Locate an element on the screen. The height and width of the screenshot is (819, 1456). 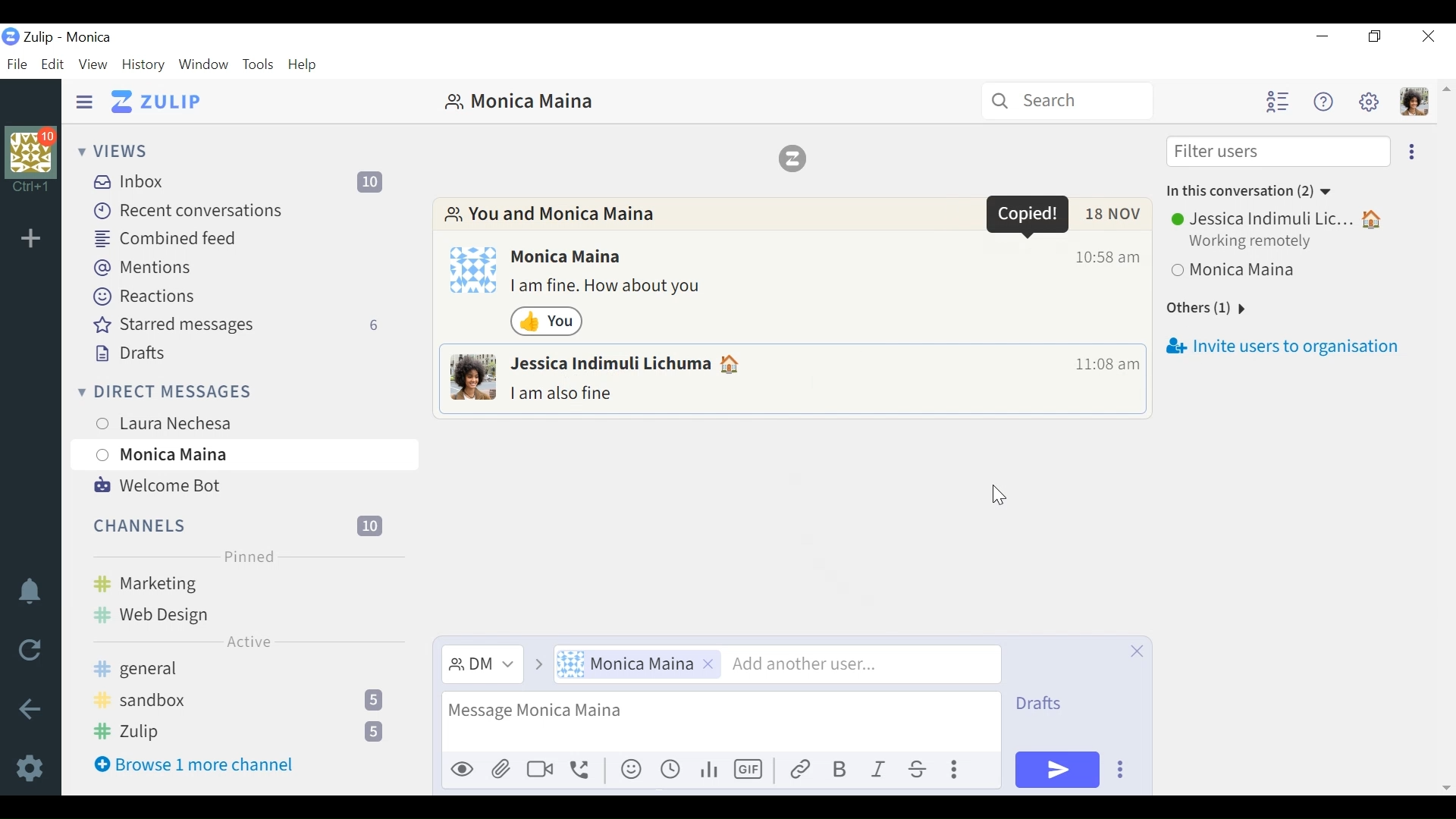
Cursor is located at coordinates (245, 470).